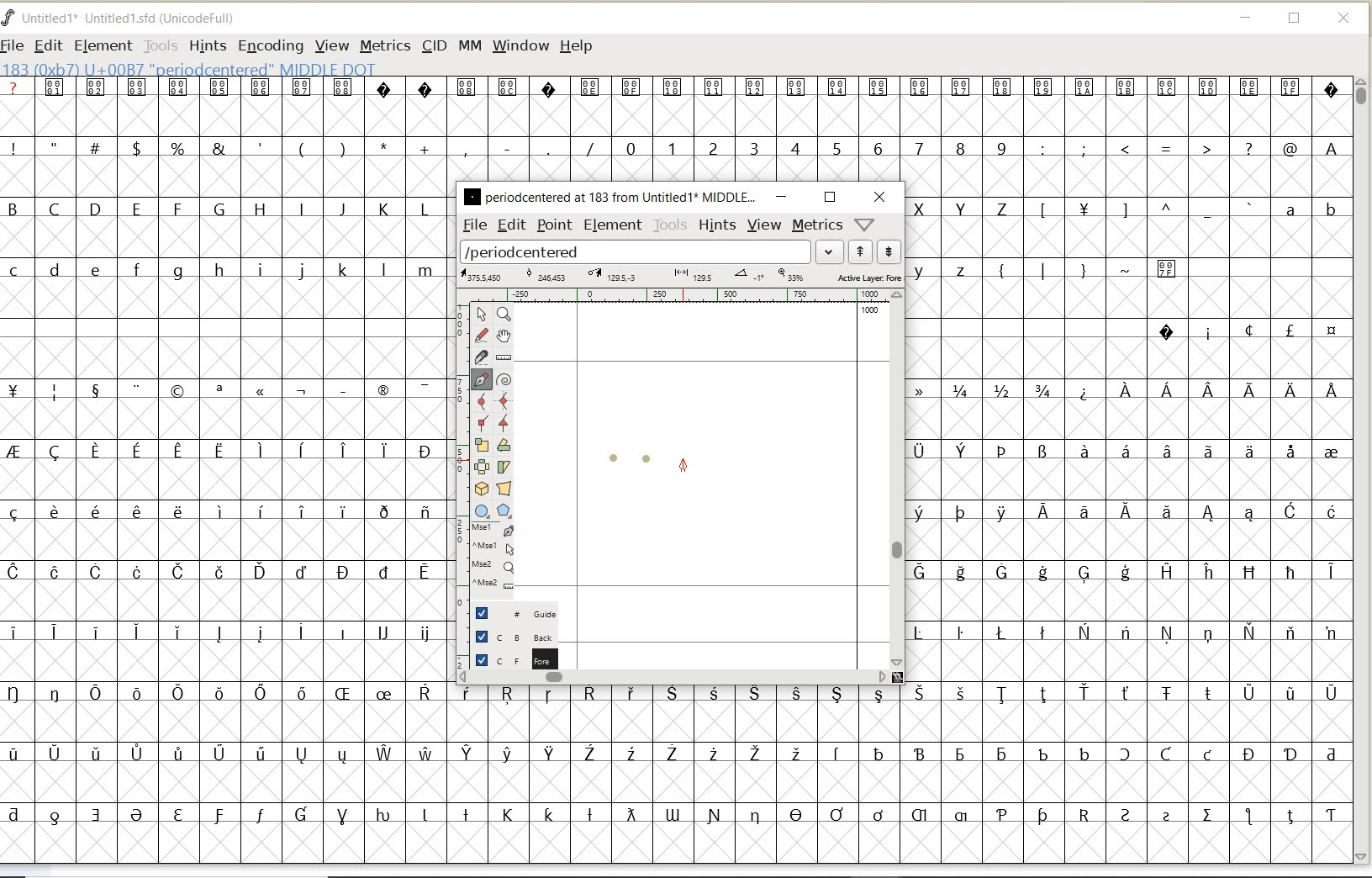 The width and height of the screenshot is (1372, 878). Describe the element at coordinates (509, 637) in the screenshot. I see `background` at that location.